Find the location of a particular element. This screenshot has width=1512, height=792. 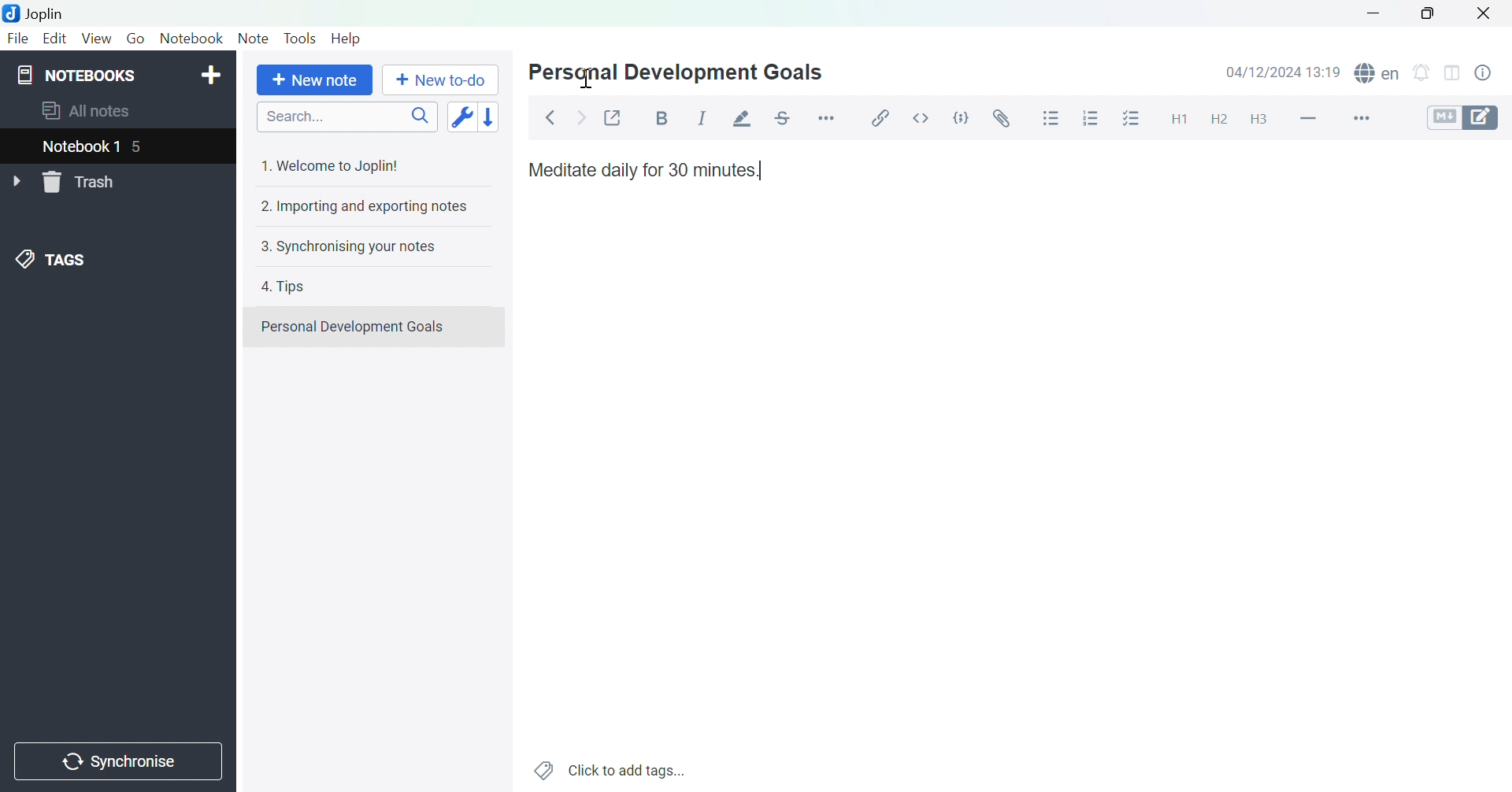

Note properties is located at coordinates (1490, 73).